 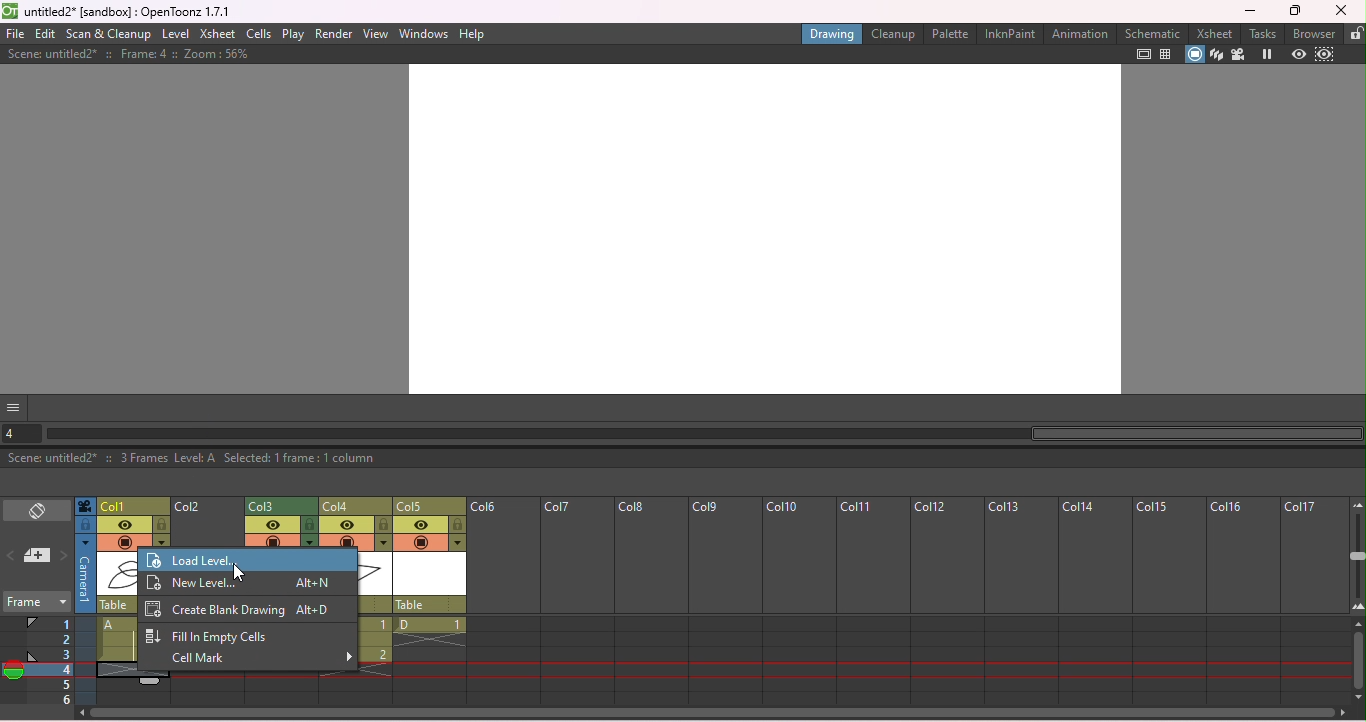 I want to click on zoom in/out, so click(x=1358, y=555).